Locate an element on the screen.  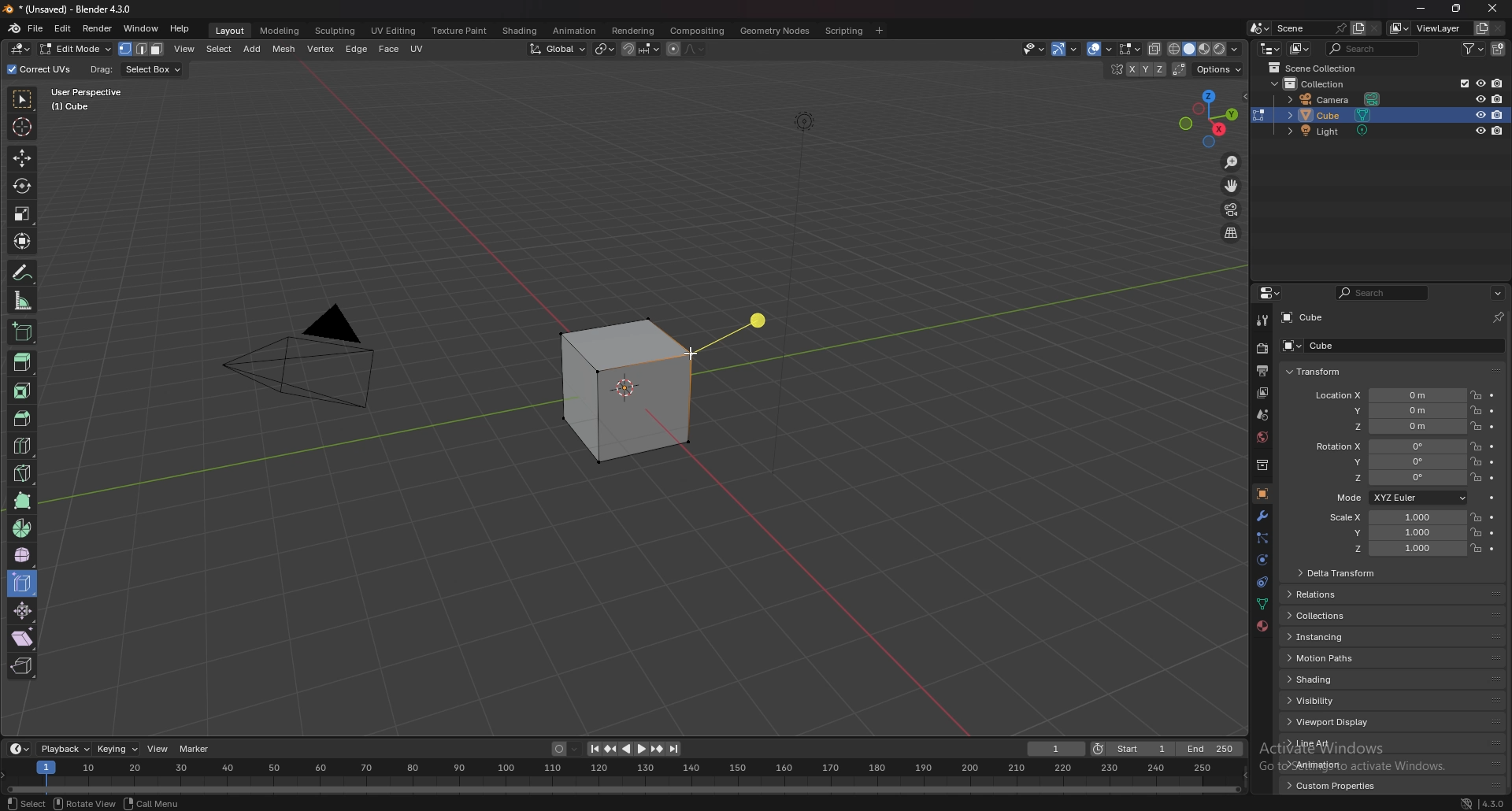
uv editing is located at coordinates (395, 31).